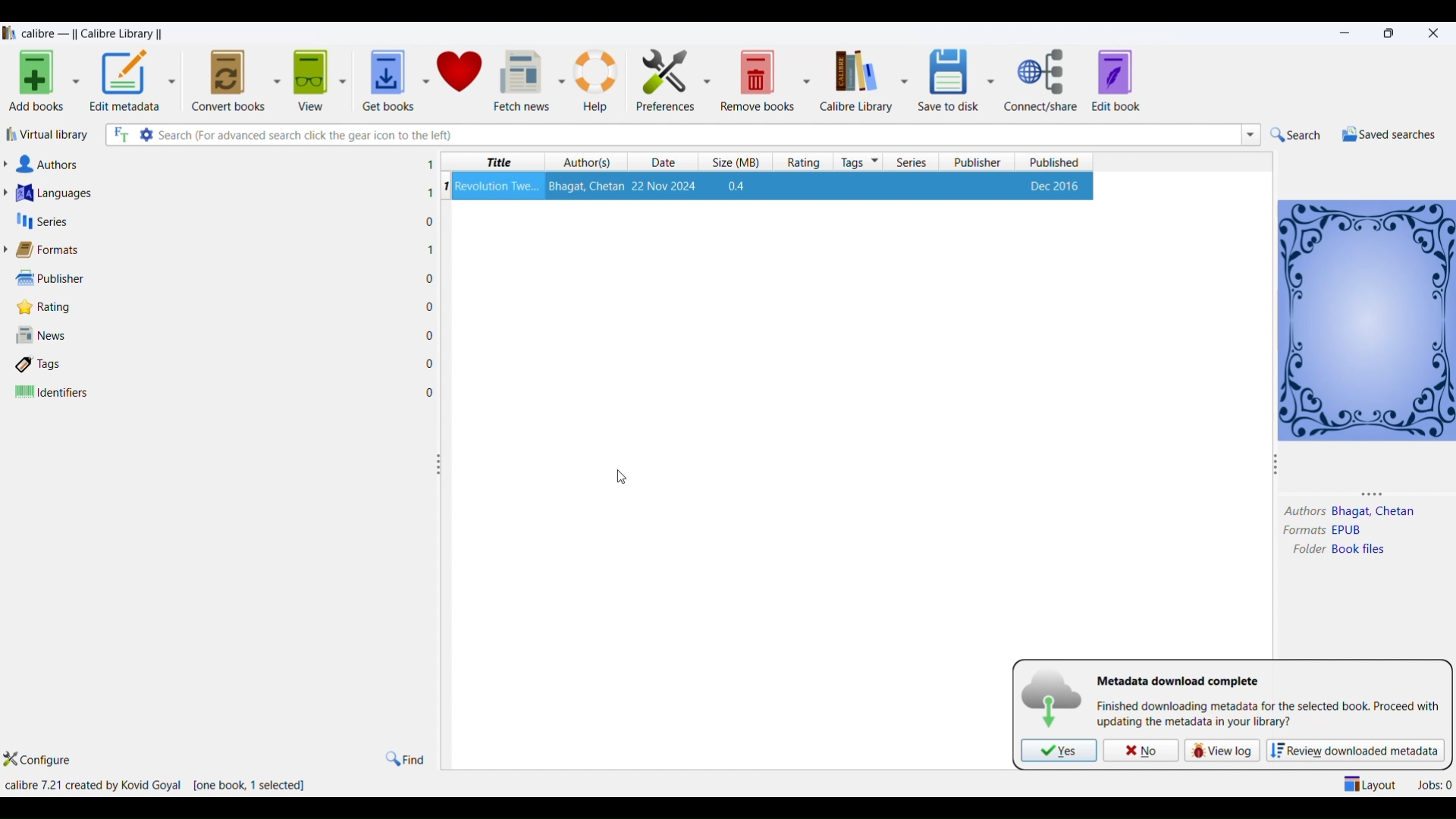 This screenshot has height=819, width=1456. What do you see at coordinates (56, 251) in the screenshot?
I see `formats and number of formats` at bounding box center [56, 251].